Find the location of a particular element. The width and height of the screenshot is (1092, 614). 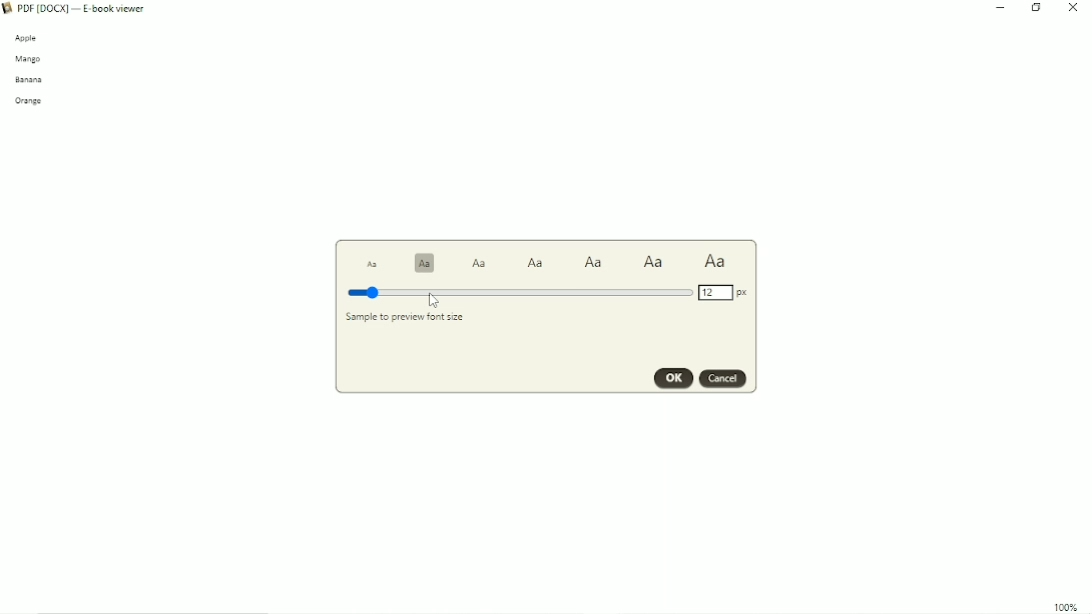

Text size is located at coordinates (715, 261).